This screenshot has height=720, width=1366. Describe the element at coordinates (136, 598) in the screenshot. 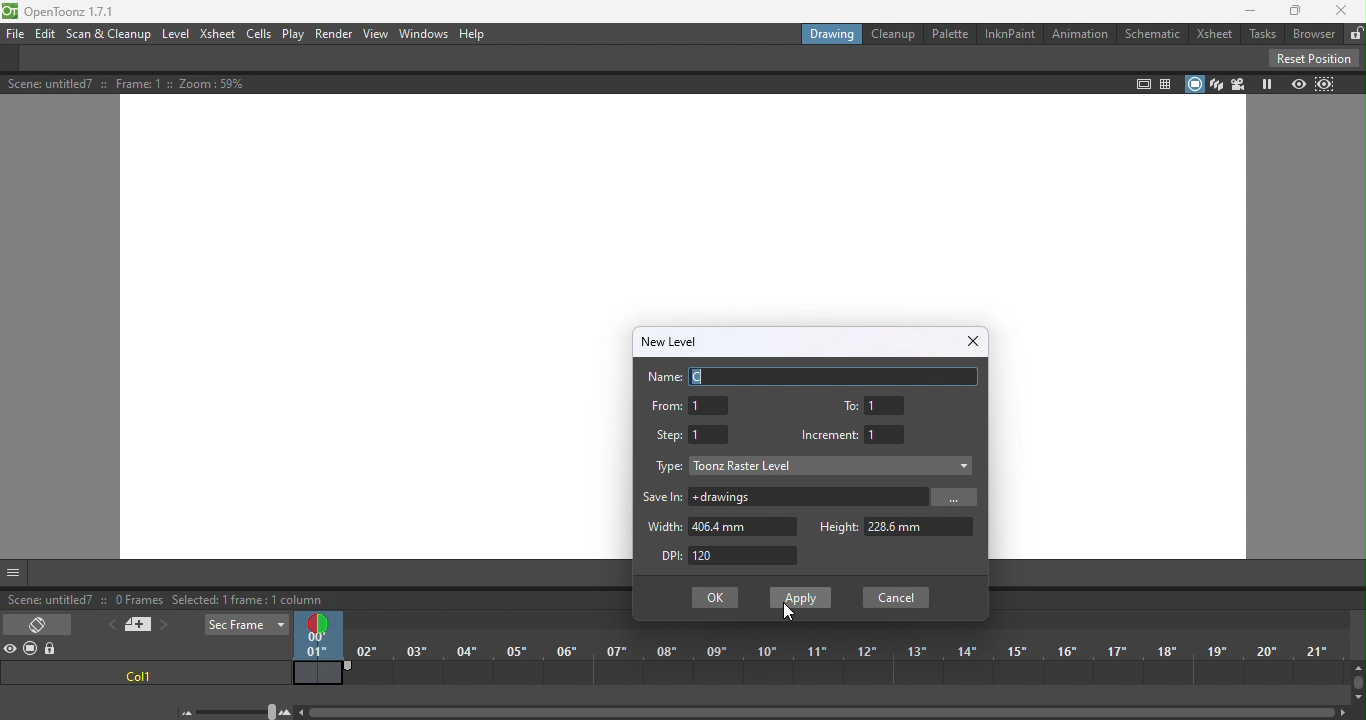

I see `0 frames` at that location.